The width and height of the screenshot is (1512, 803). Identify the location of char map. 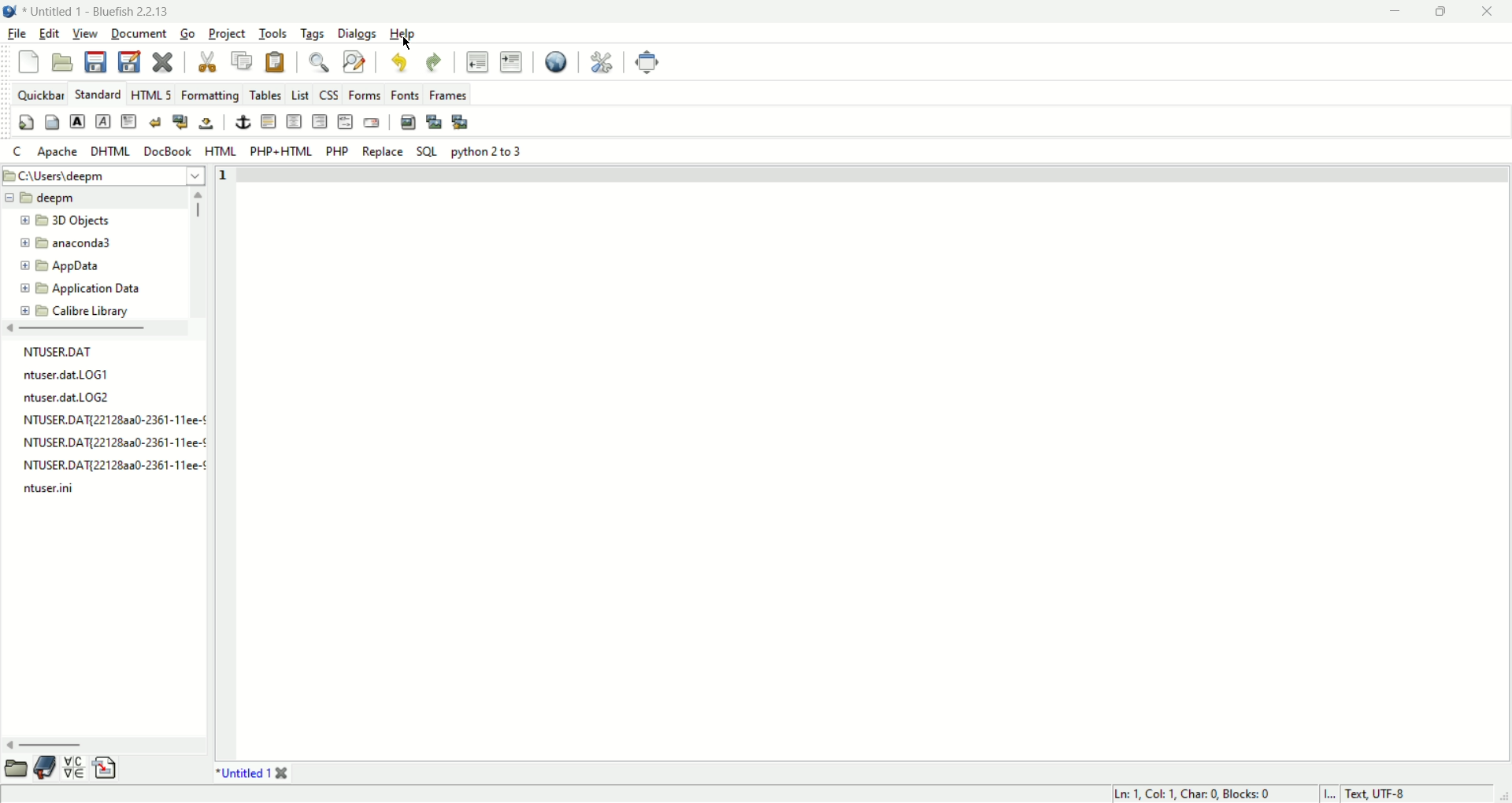
(73, 767).